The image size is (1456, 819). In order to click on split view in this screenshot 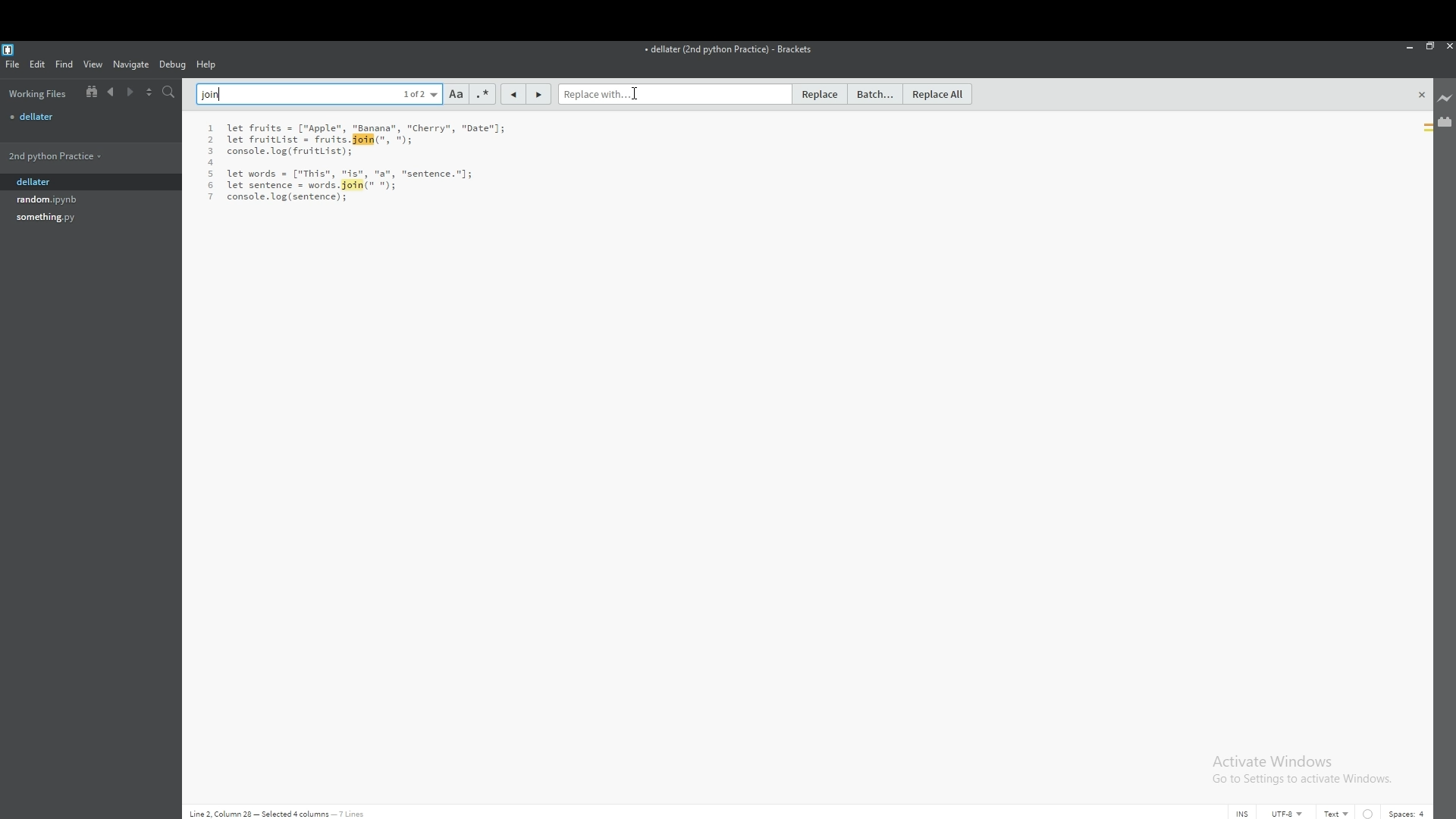, I will do `click(150, 91)`.